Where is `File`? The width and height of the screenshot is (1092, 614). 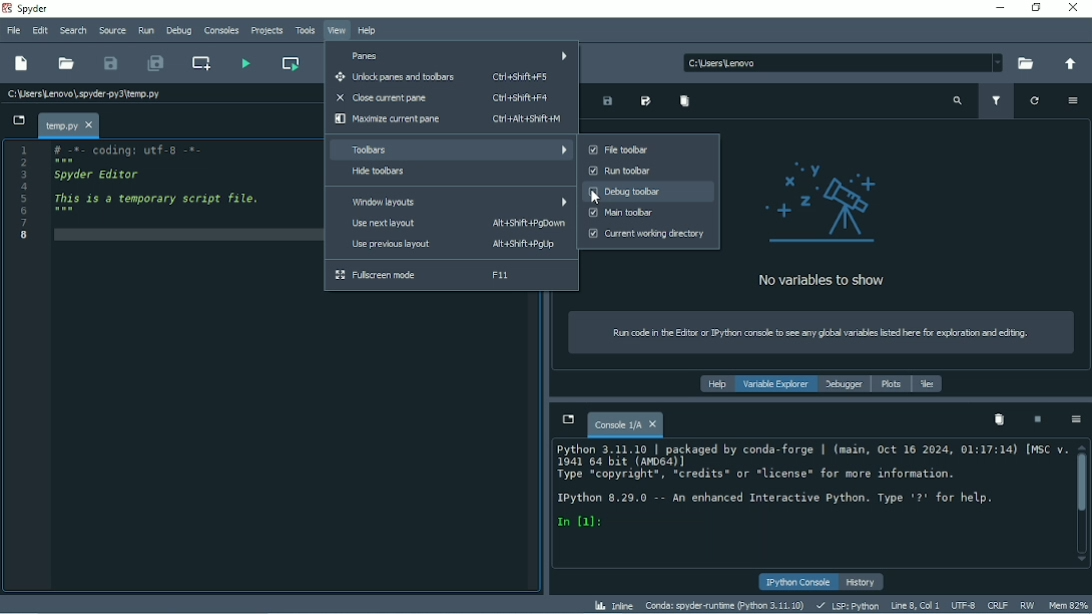
File is located at coordinates (12, 31).